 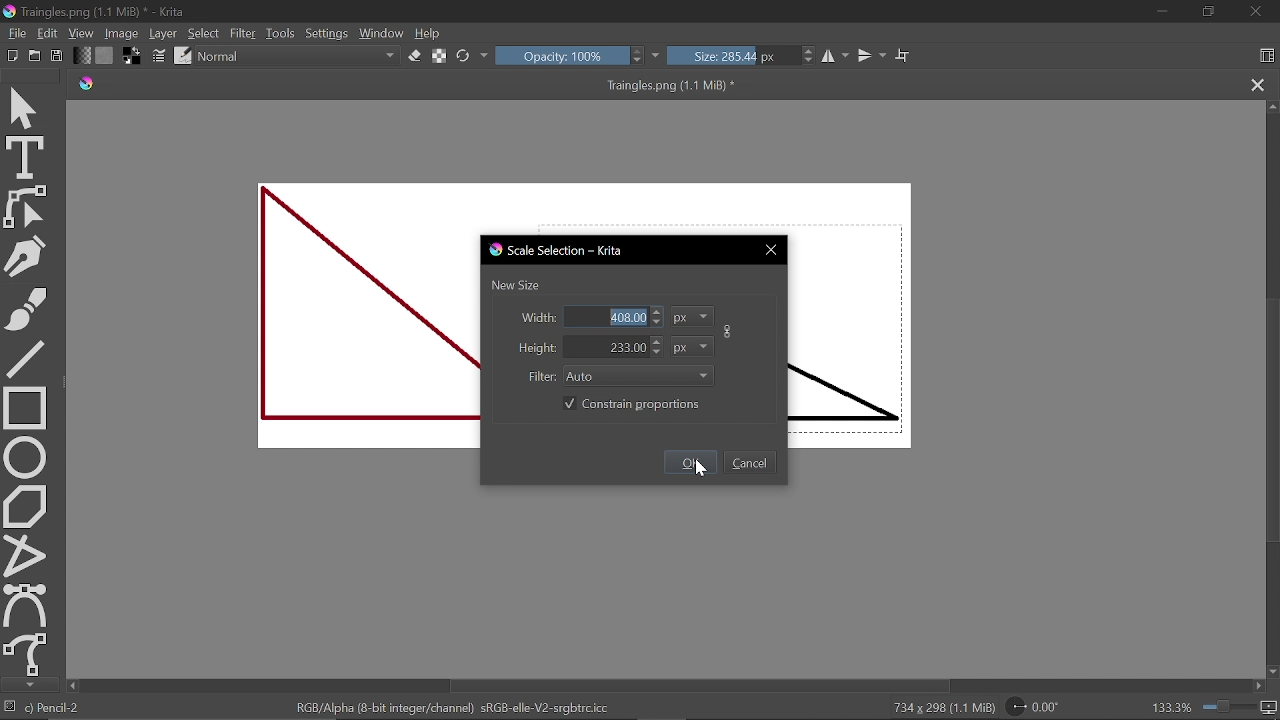 What do you see at coordinates (122, 33) in the screenshot?
I see `Image` at bounding box center [122, 33].